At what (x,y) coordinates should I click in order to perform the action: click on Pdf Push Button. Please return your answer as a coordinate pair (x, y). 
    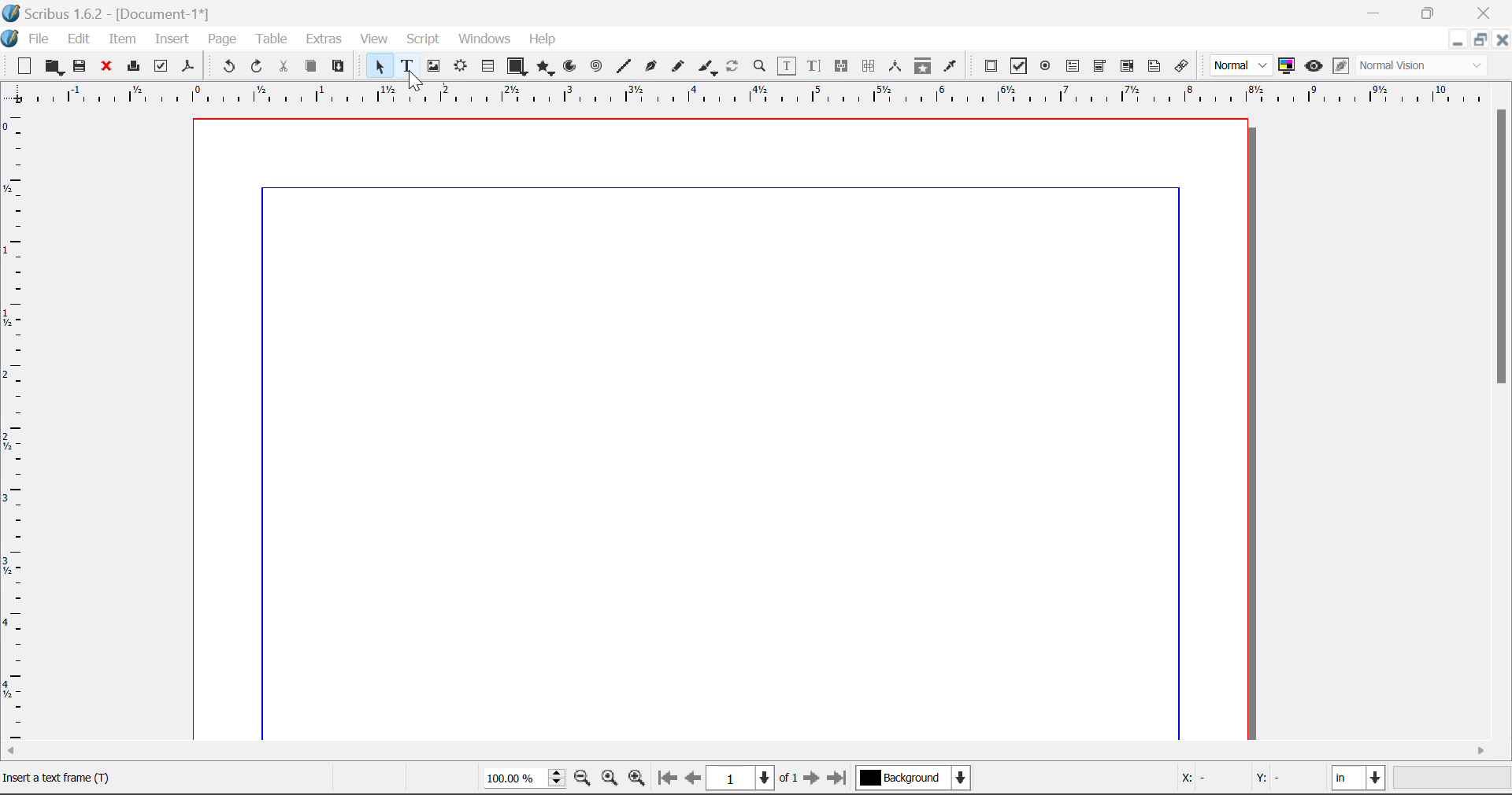
    Looking at the image, I should click on (991, 65).